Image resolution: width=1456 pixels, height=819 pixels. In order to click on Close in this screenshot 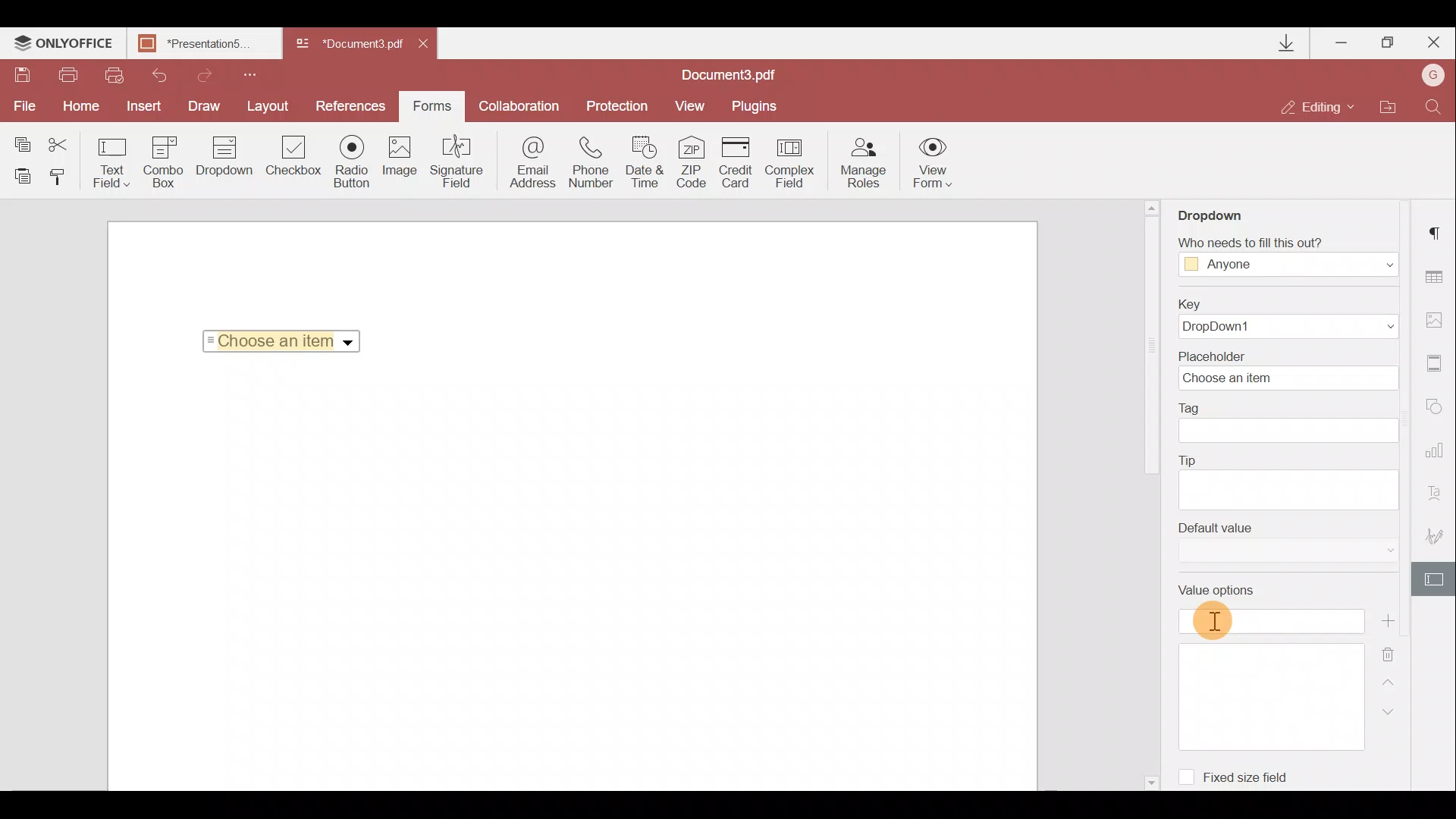, I will do `click(1432, 39)`.